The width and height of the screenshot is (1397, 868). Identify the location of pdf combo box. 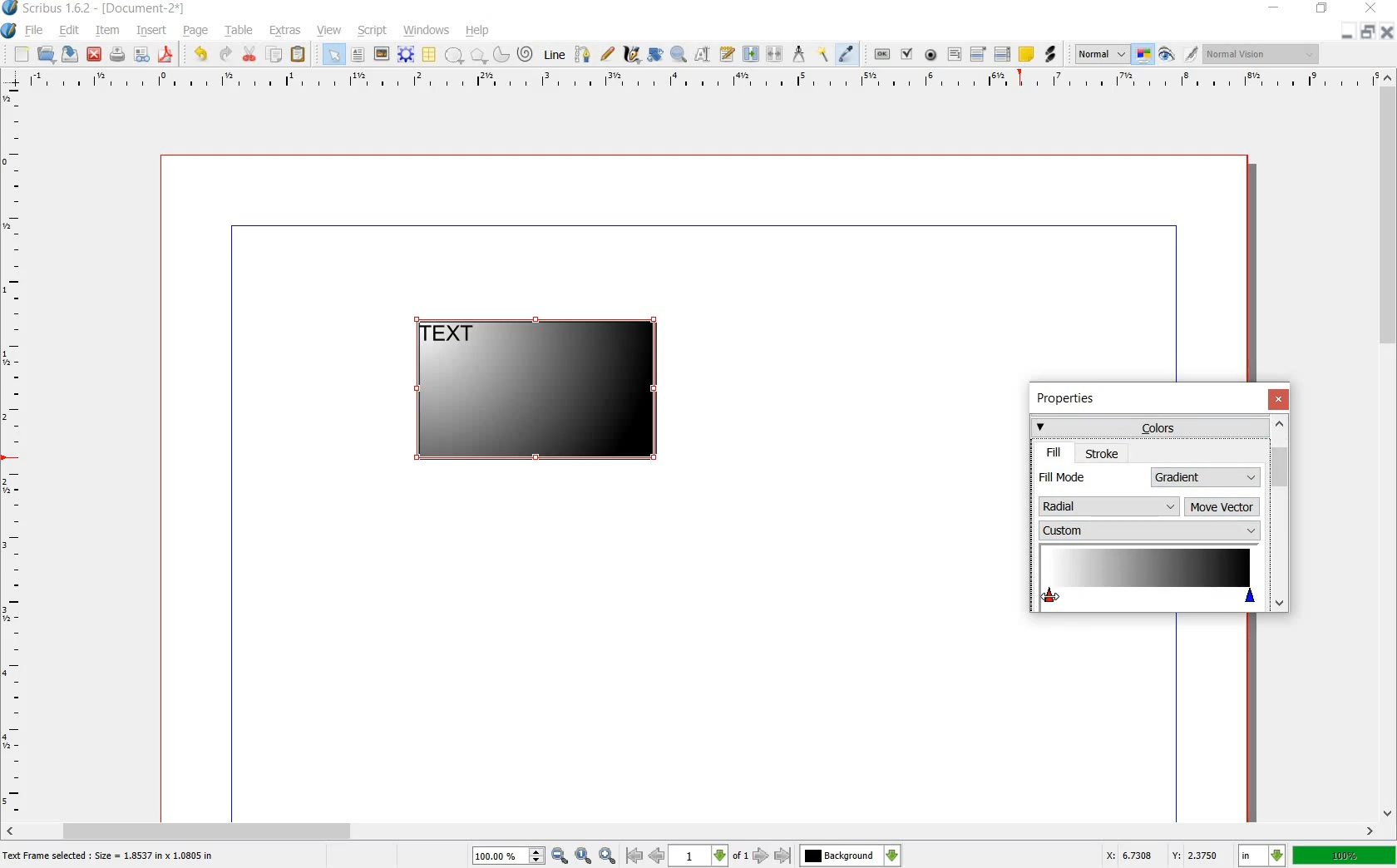
(979, 53).